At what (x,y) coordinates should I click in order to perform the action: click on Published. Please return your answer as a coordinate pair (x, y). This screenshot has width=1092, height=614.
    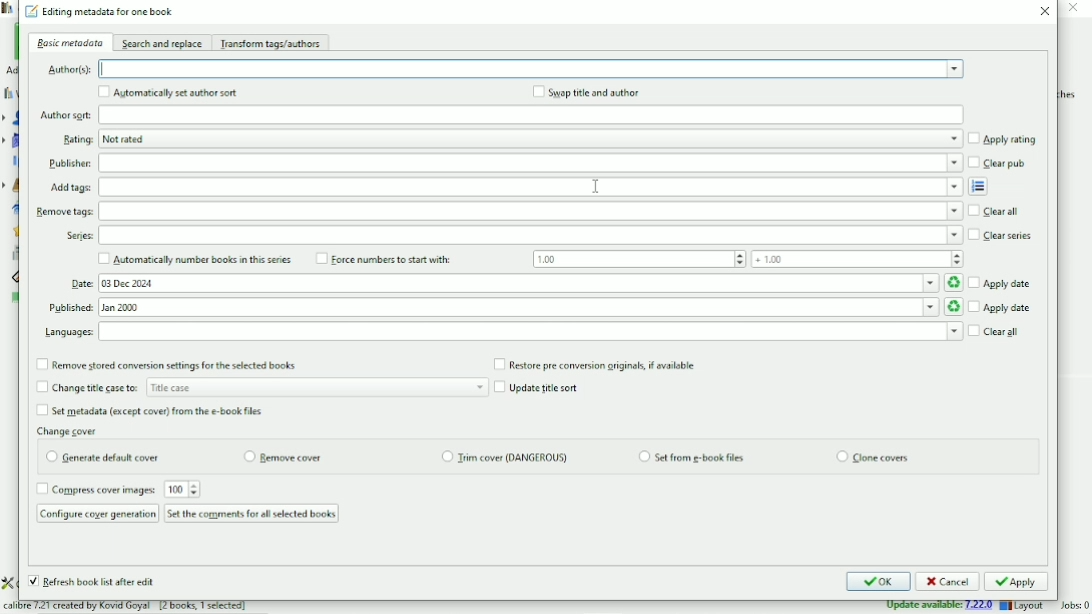
    Looking at the image, I should click on (71, 308).